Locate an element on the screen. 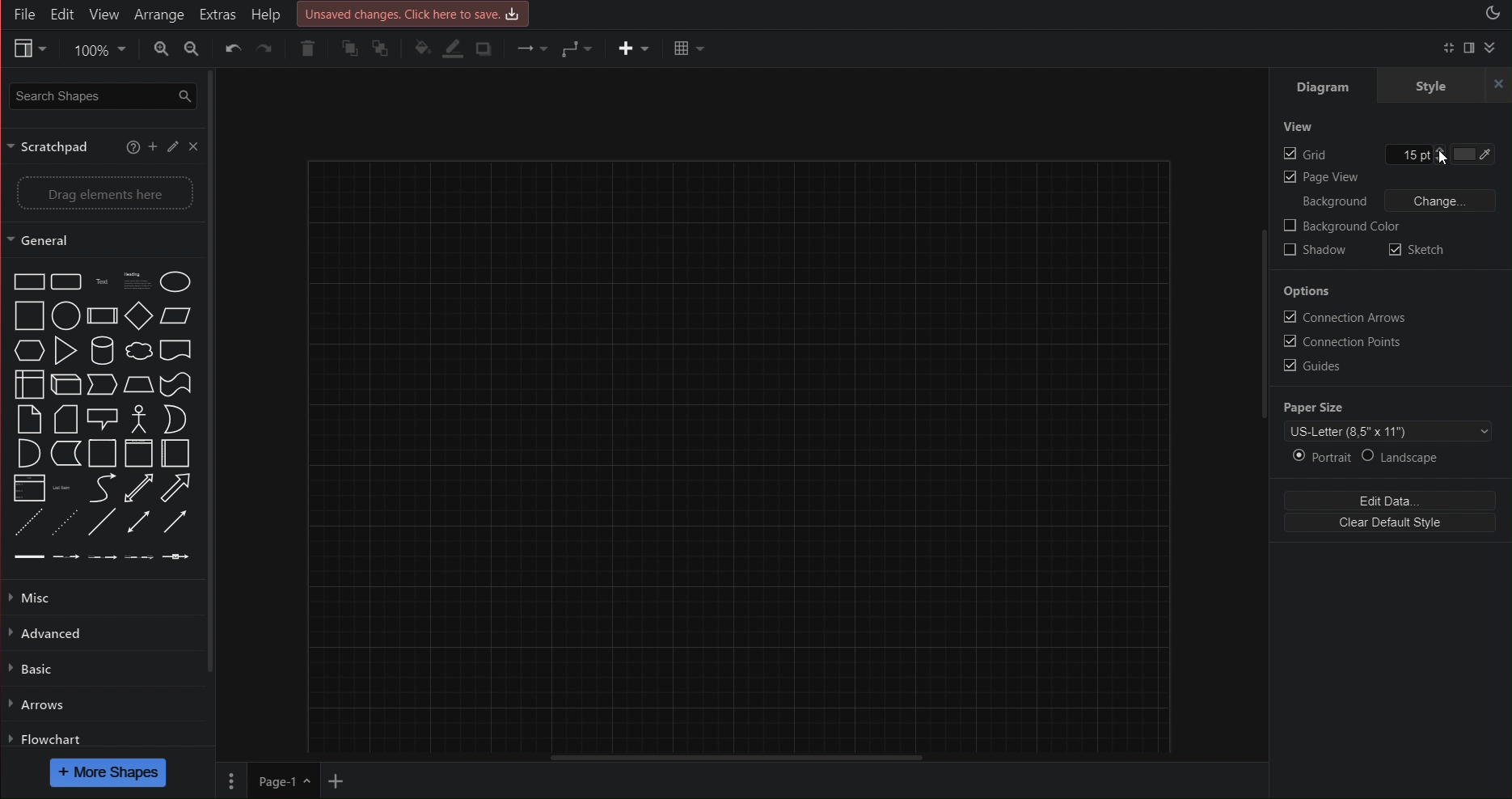 This screenshot has width=1512, height=799. Appearance is located at coordinates (1492, 15).